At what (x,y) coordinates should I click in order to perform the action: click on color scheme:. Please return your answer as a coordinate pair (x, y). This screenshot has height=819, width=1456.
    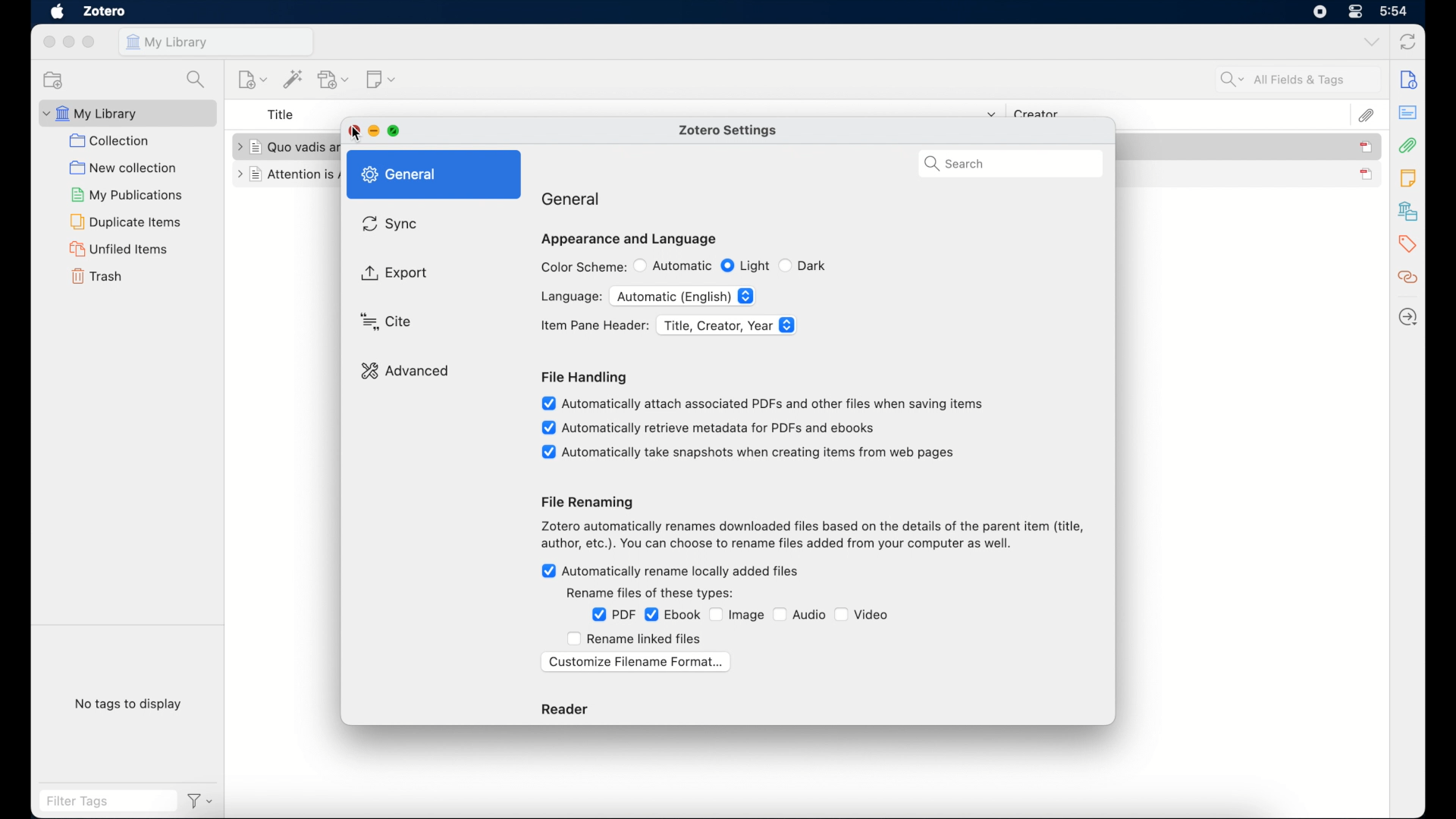
    Looking at the image, I should click on (582, 267).